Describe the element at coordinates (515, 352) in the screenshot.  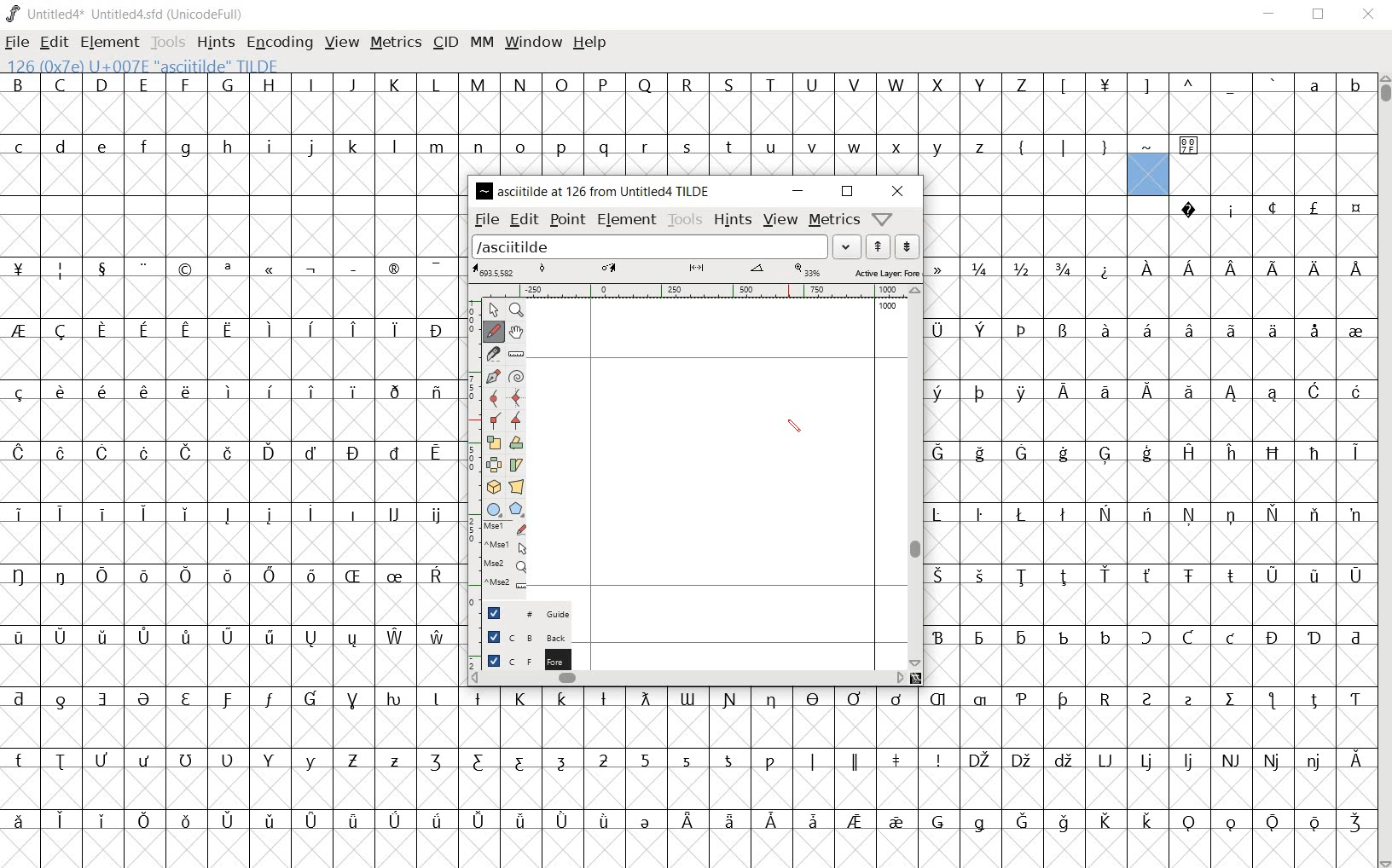
I see `measure a distance, angle between points` at that location.